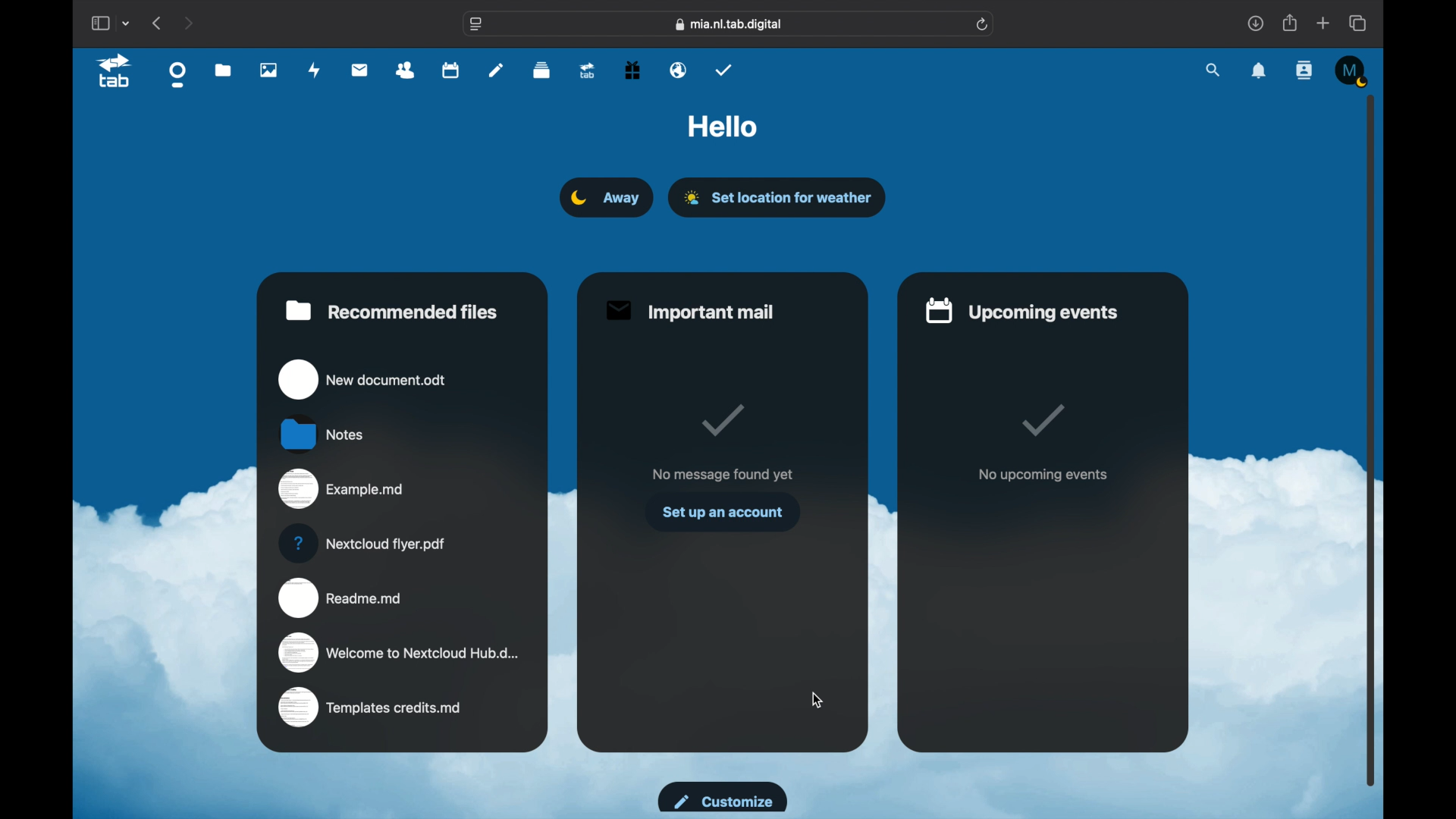 This screenshot has width=1456, height=819. Describe the element at coordinates (984, 25) in the screenshot. I see `refresh` at that location.